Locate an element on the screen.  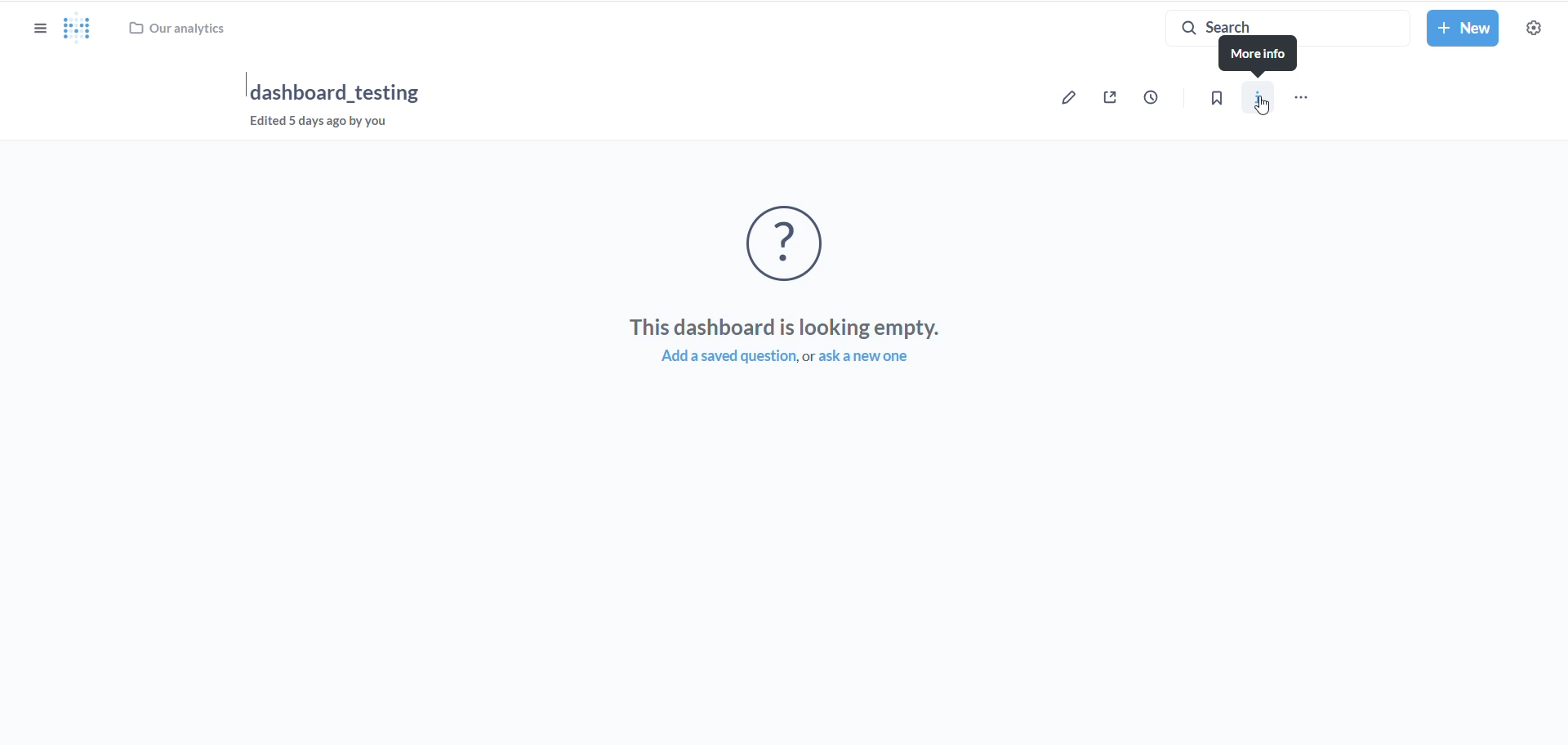
empty icon is located at coordinates (795, 246).